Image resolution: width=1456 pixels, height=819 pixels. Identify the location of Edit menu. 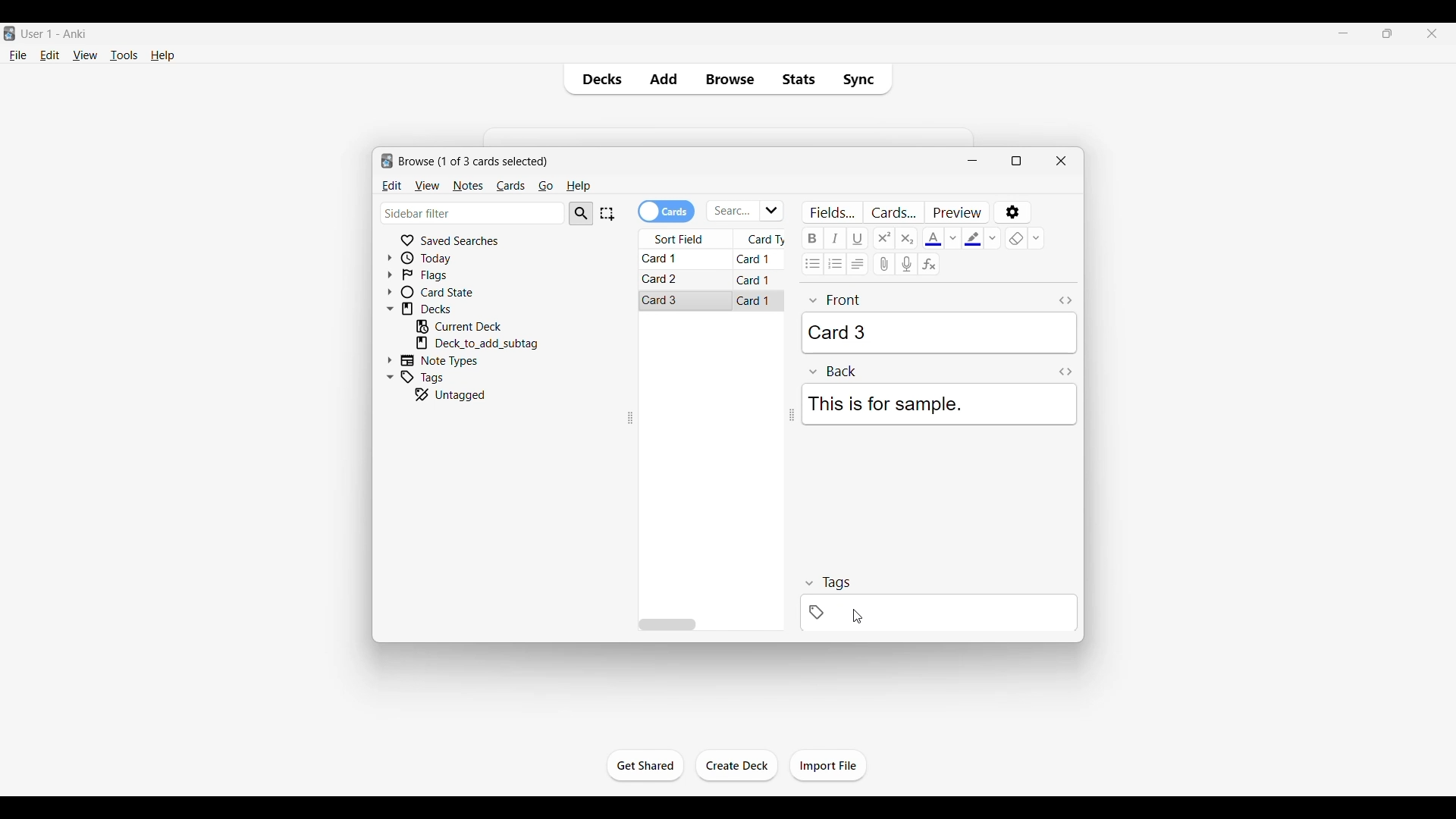
(50, 55).